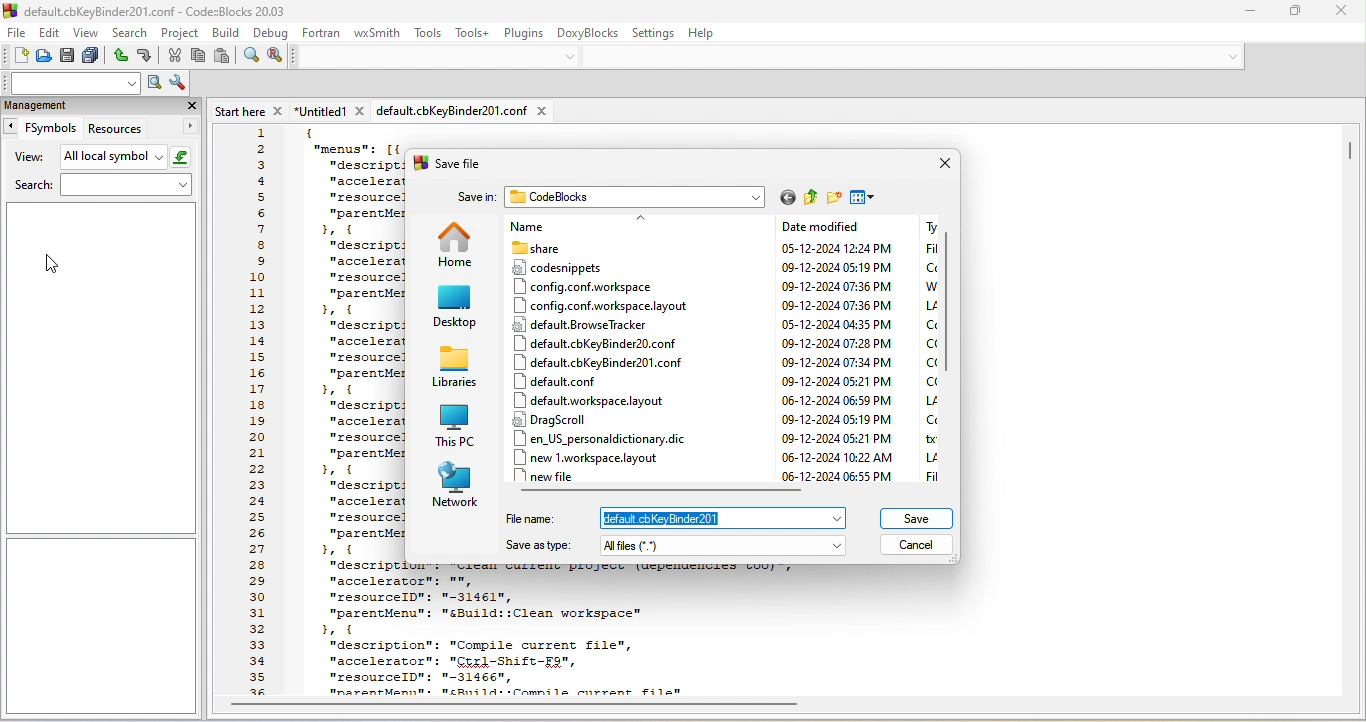 This screenshot has width=1366, height=722. I want to click on icon, so click(420, 165).